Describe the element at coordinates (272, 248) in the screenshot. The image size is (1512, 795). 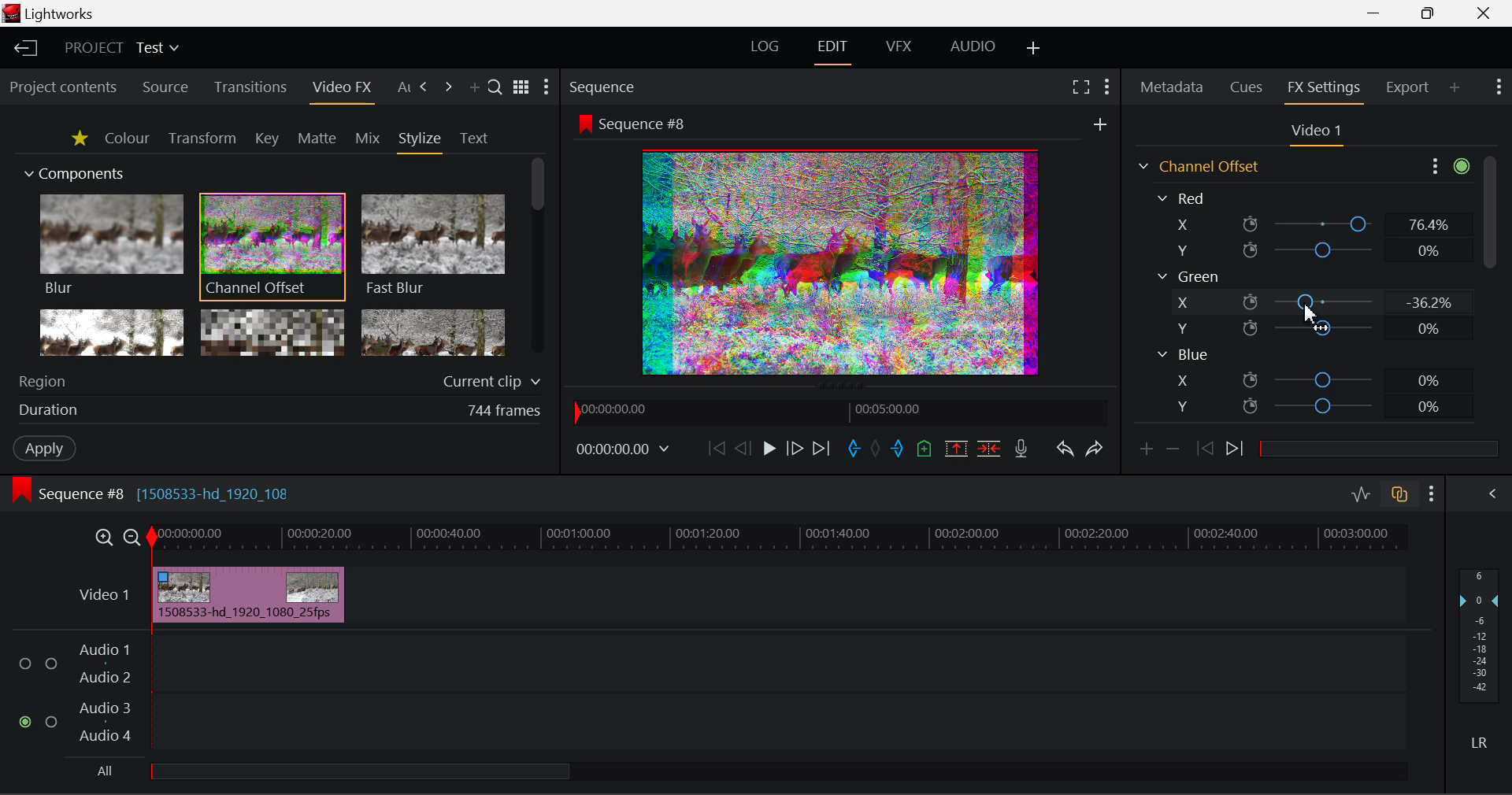
I see `Channel Offset` at that location.